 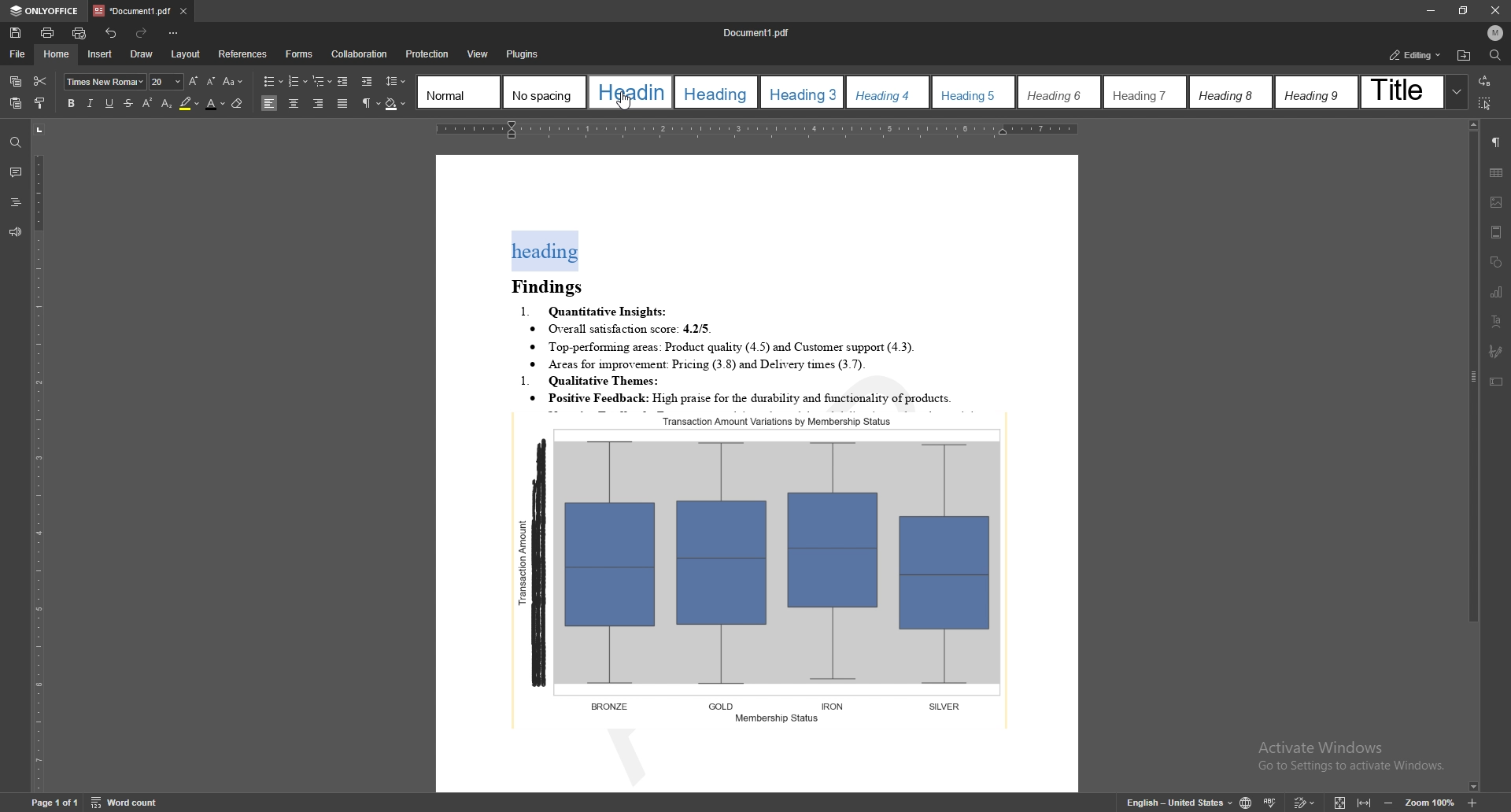 What do you see at coordinates (70, 103) in the screenshot?
I see `bold` at bounding box center [70, 103].